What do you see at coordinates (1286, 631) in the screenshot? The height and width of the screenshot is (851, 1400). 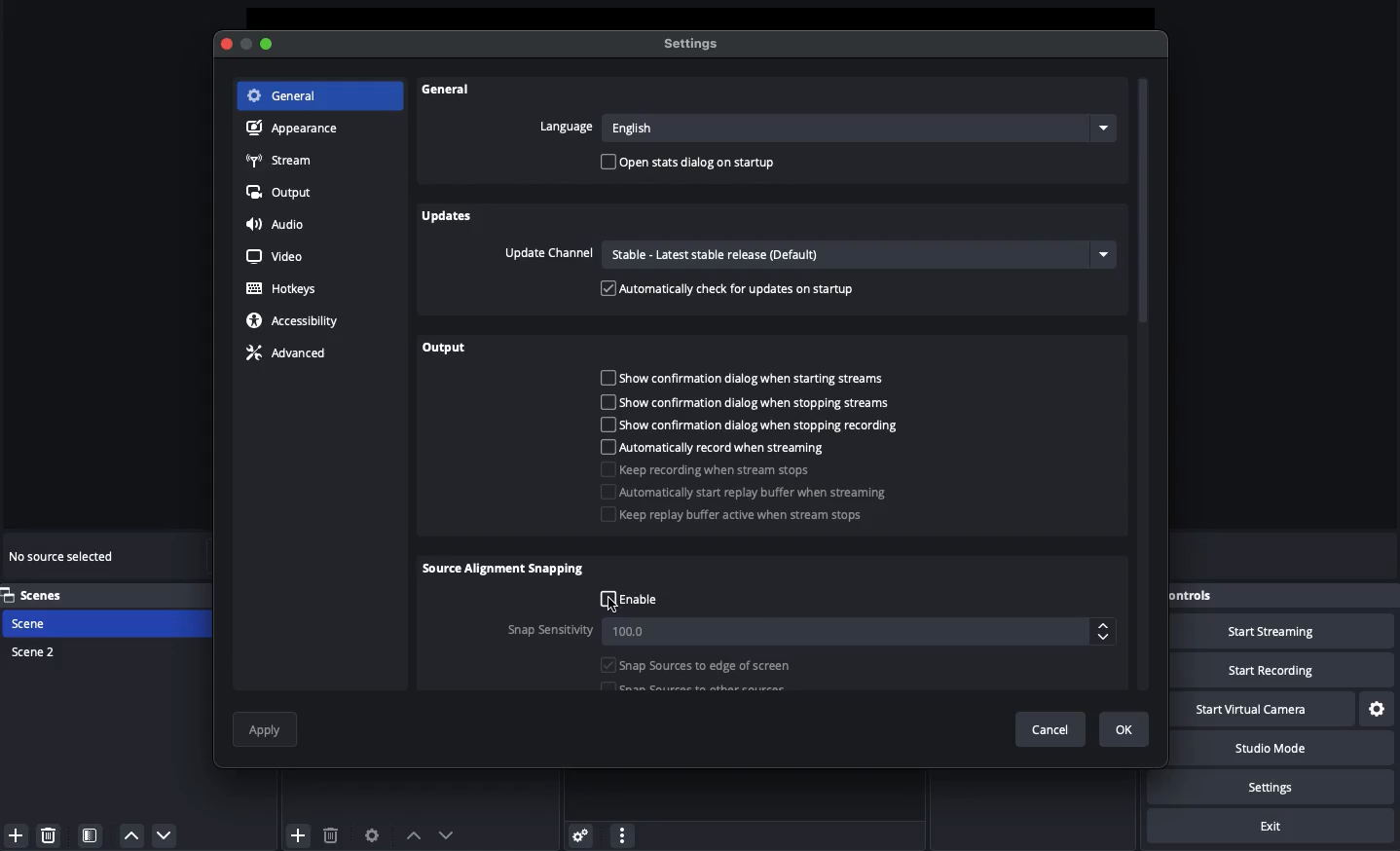 I see `Start streaming` at bounding box center [1286, 631].